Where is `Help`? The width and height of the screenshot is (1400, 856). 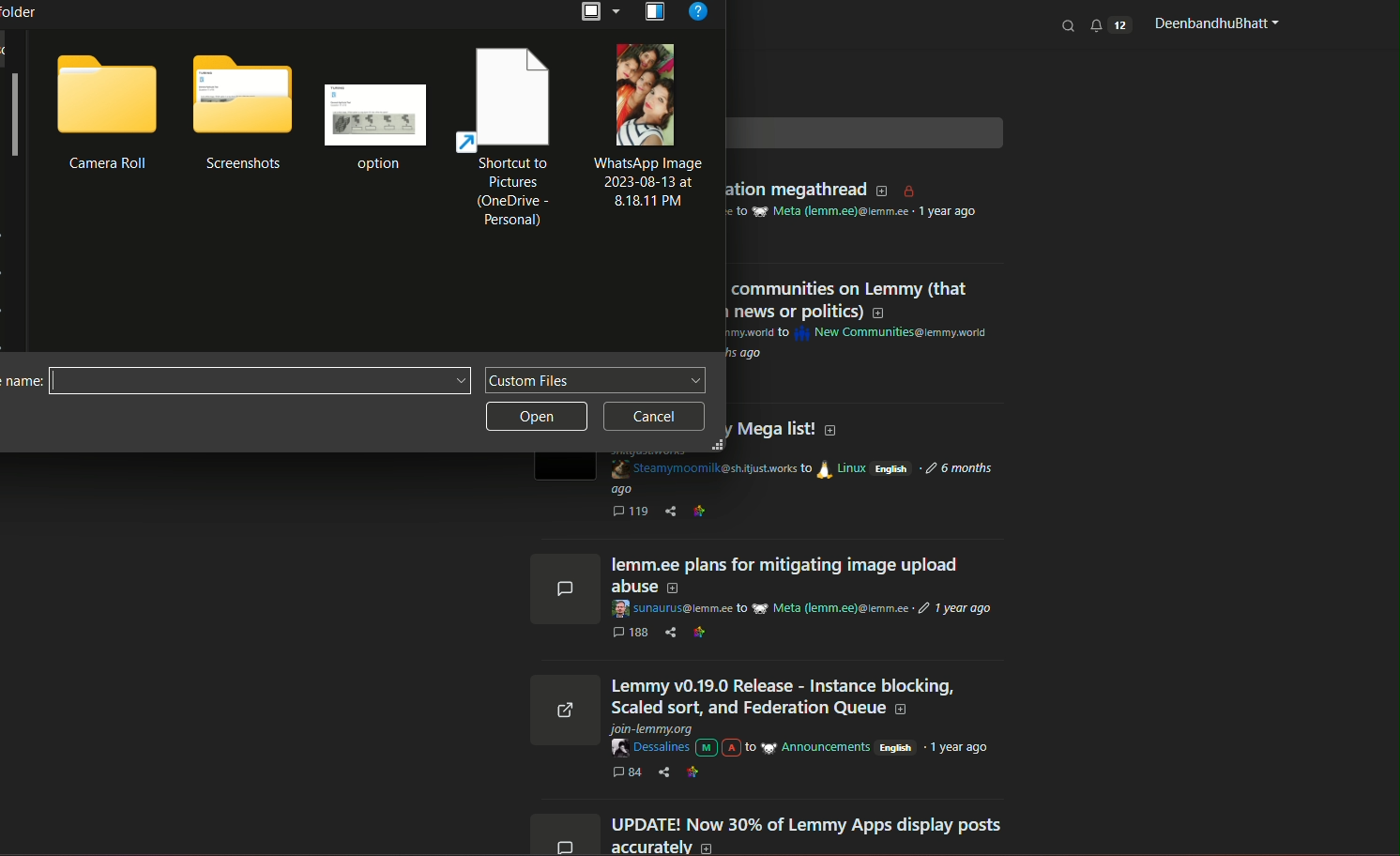 Help is located at coordinates (698, 13).